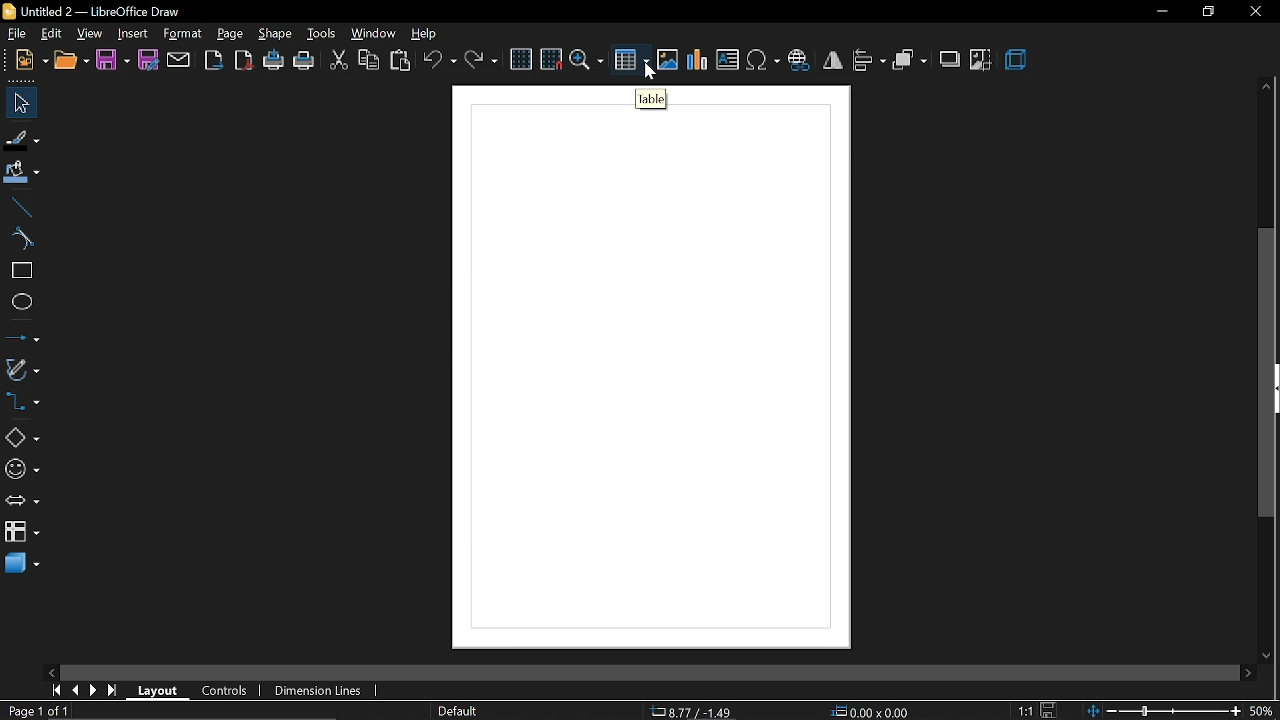 Image resolution: width=1280 pixels, height=720 pixels. What do you see at coordinates (244, 59) in the screenshot?
I see `export as pdf` at bounding box center [244, 59].